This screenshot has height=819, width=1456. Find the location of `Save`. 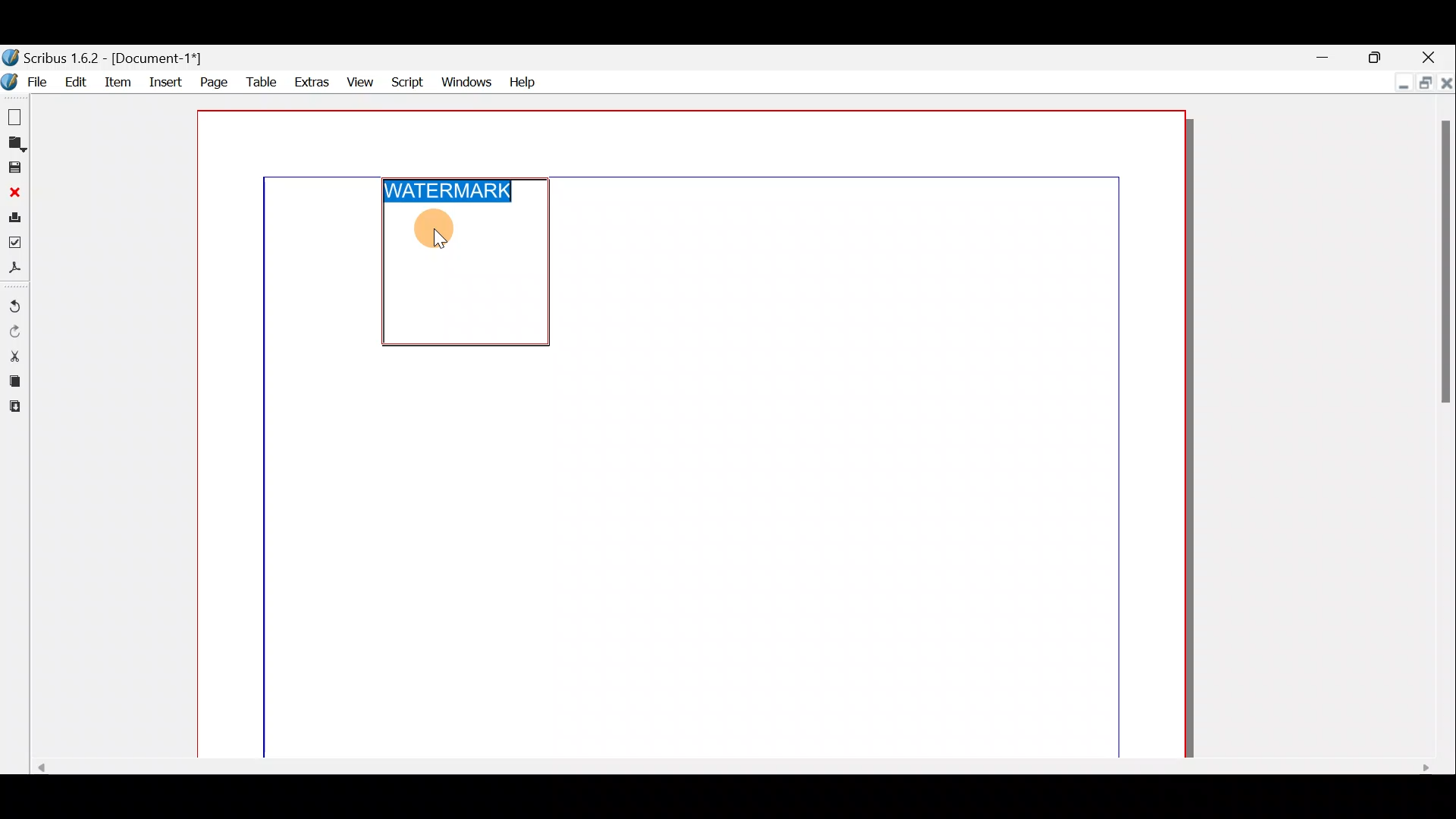

Save is located at coordinates (14, 168).